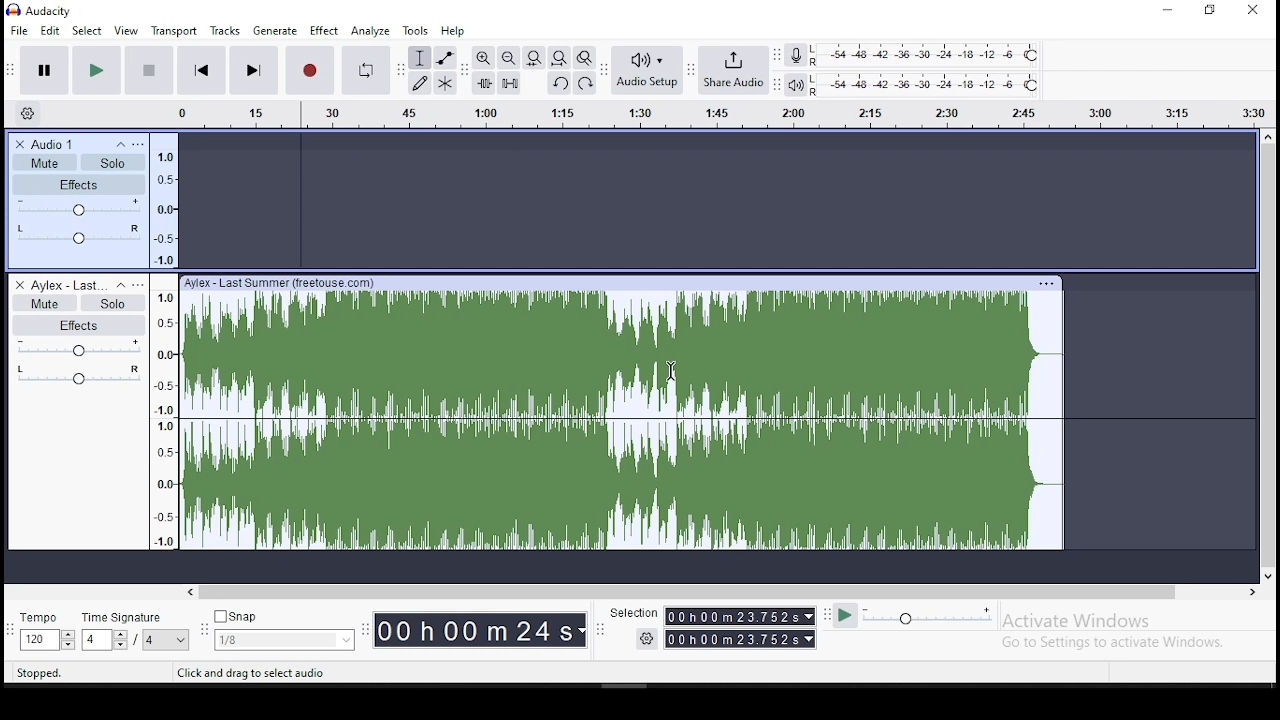 This screenshot has width=1280, height=720. Describe the element at coordinates (164, 341) in the screenshot. I see `scale` at that location.